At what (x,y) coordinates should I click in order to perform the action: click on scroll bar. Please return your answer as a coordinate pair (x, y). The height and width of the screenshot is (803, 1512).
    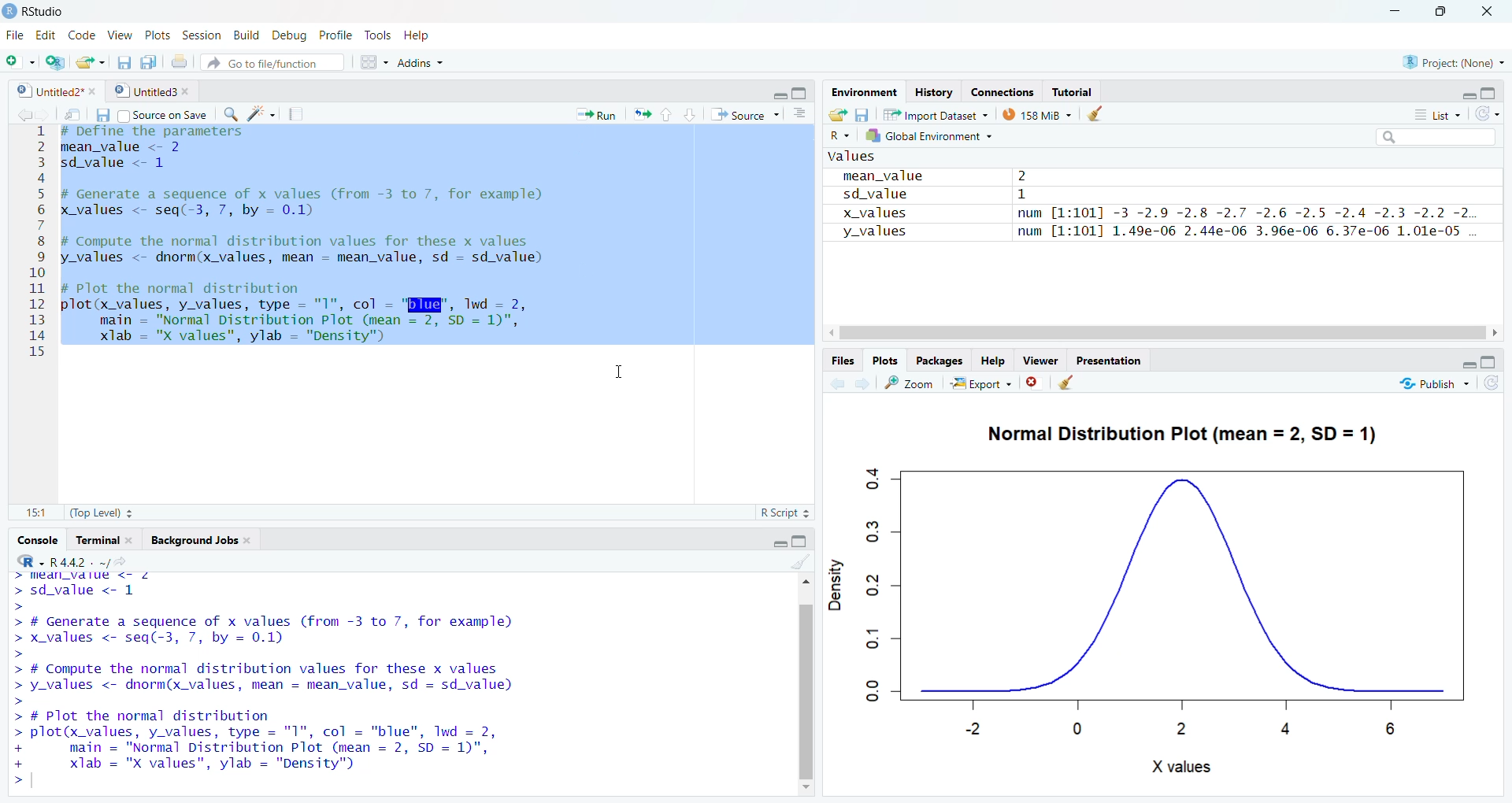
    Looking at the image, I should click on (802, 679).